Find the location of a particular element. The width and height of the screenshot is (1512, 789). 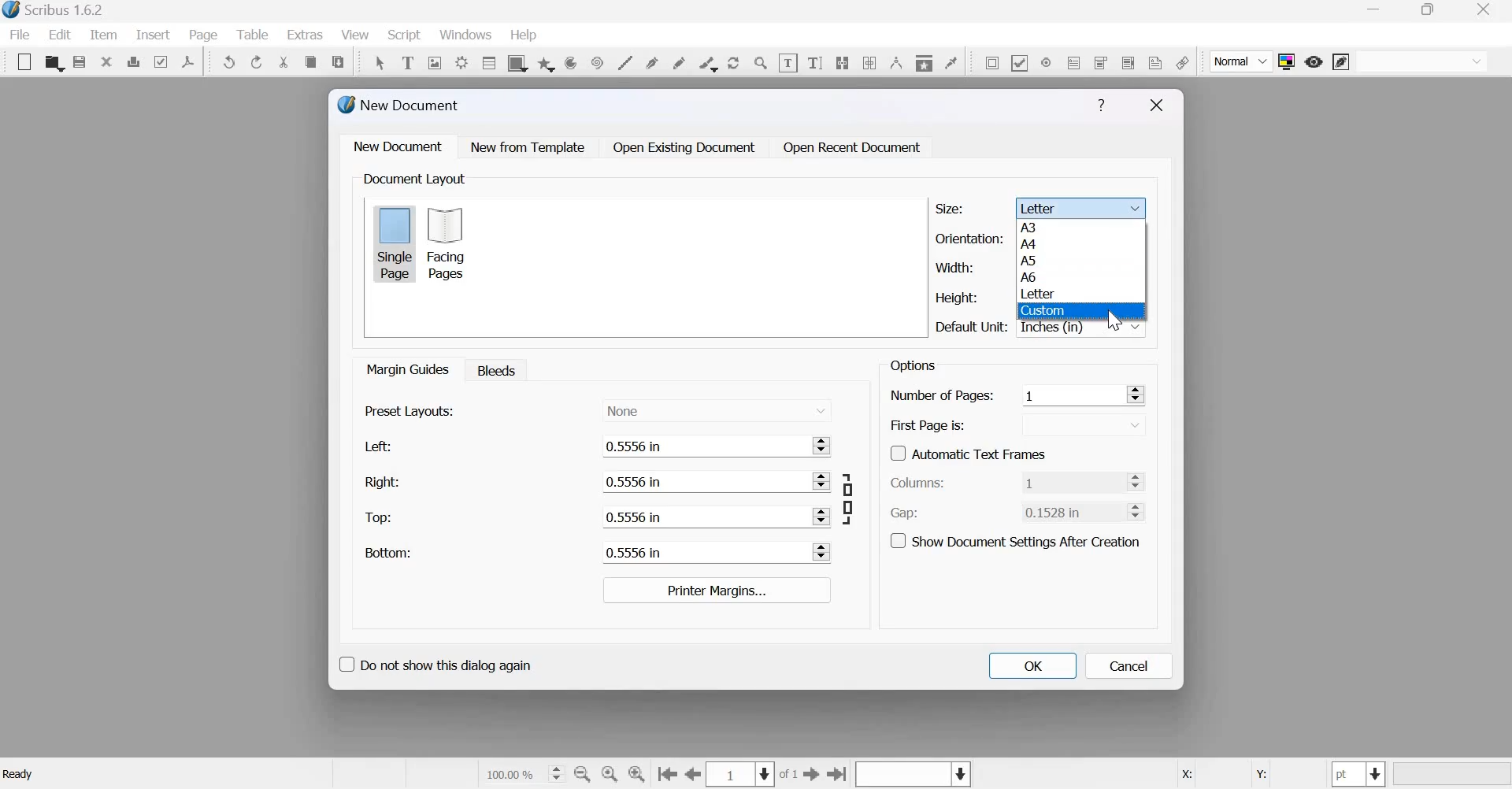

paste is located at coordinates (339, 60).